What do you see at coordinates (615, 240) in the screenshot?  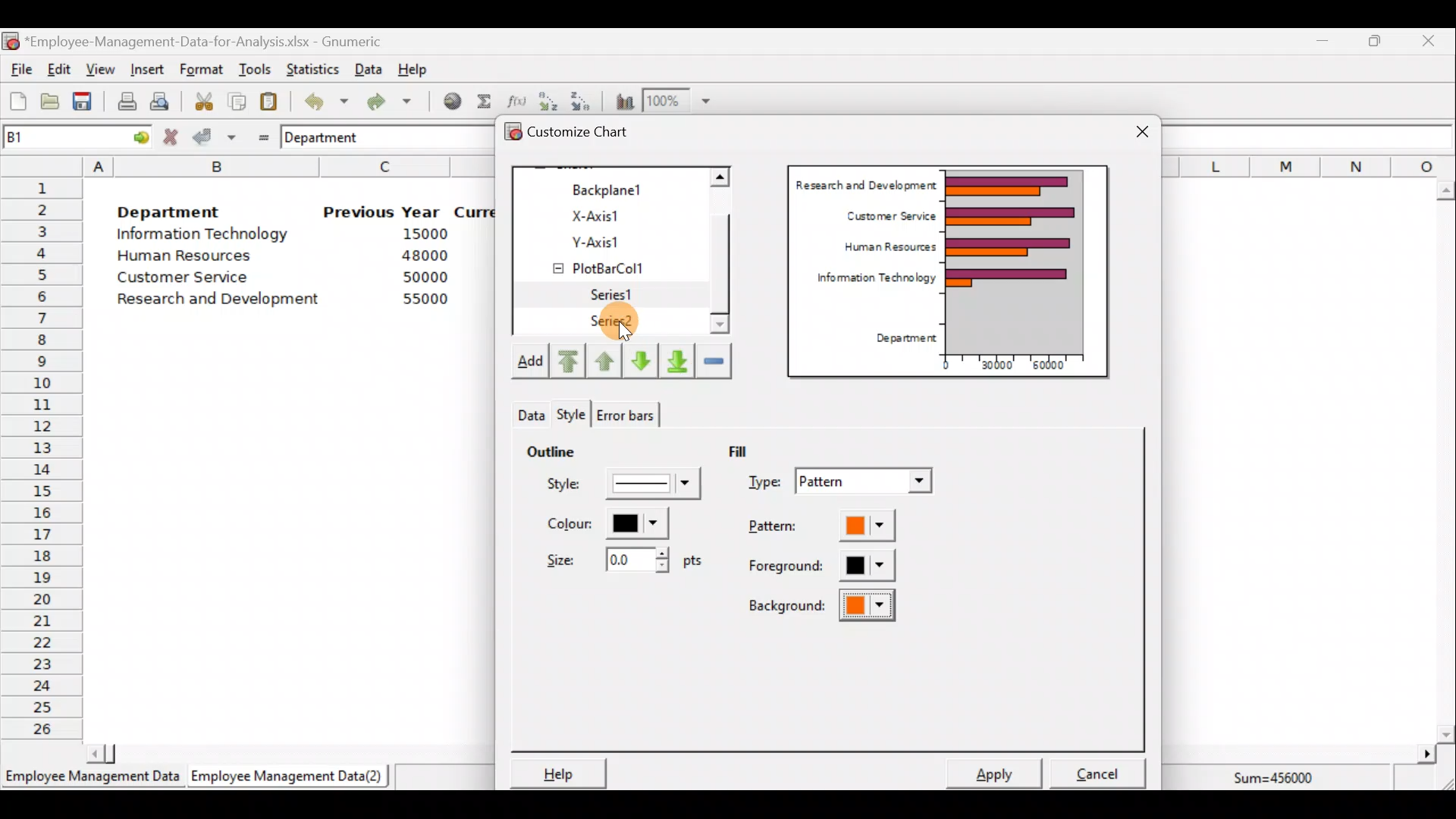 I see `Y-axis1` at bounding box center [615, 240].